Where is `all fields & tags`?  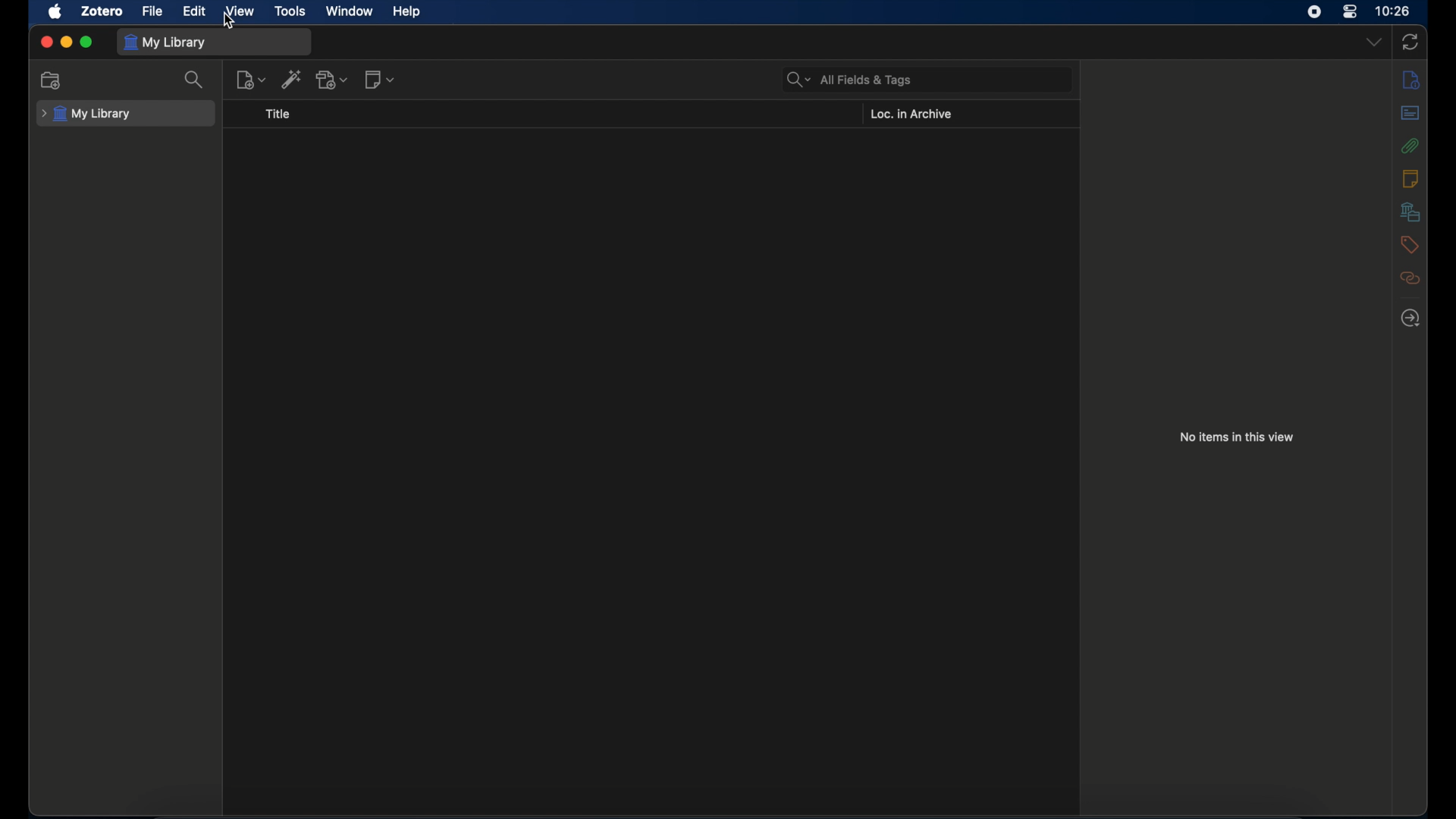 all fields & tags is located at coordinates (852, 80).